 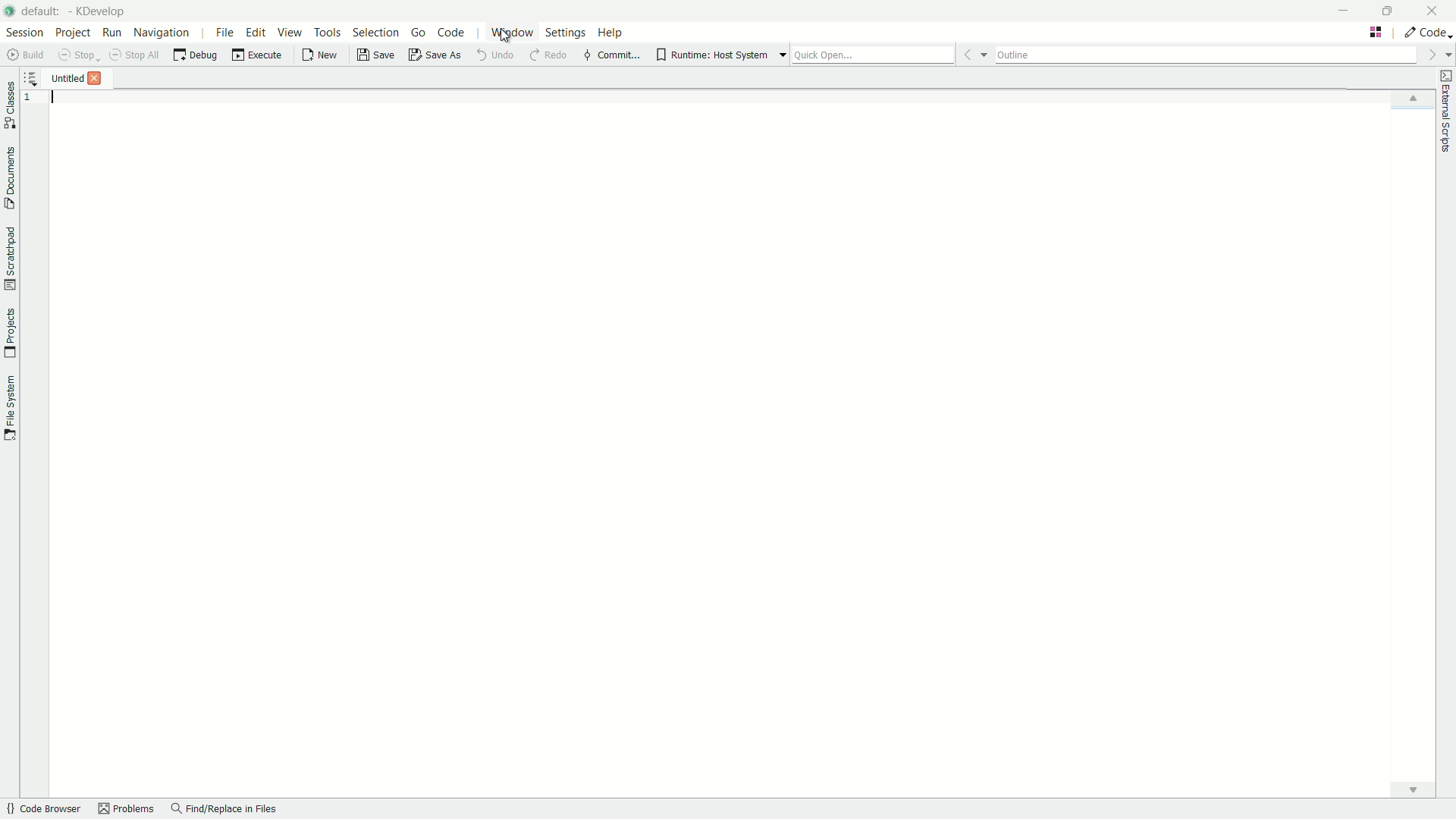 I want to click on stop all, so click(x=135, y=55).